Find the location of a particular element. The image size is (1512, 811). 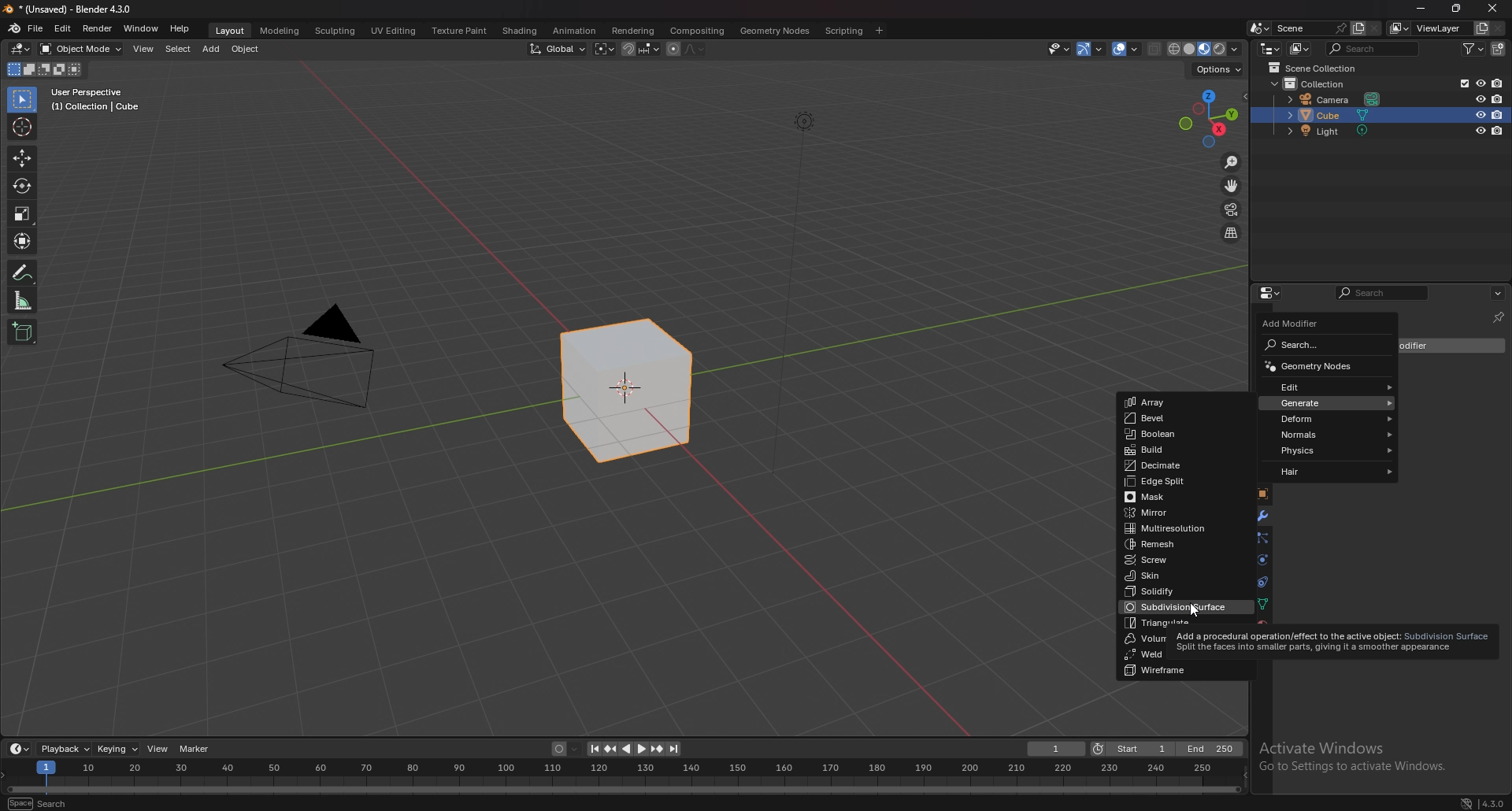

bevel is located at coordinates (1187, 418).